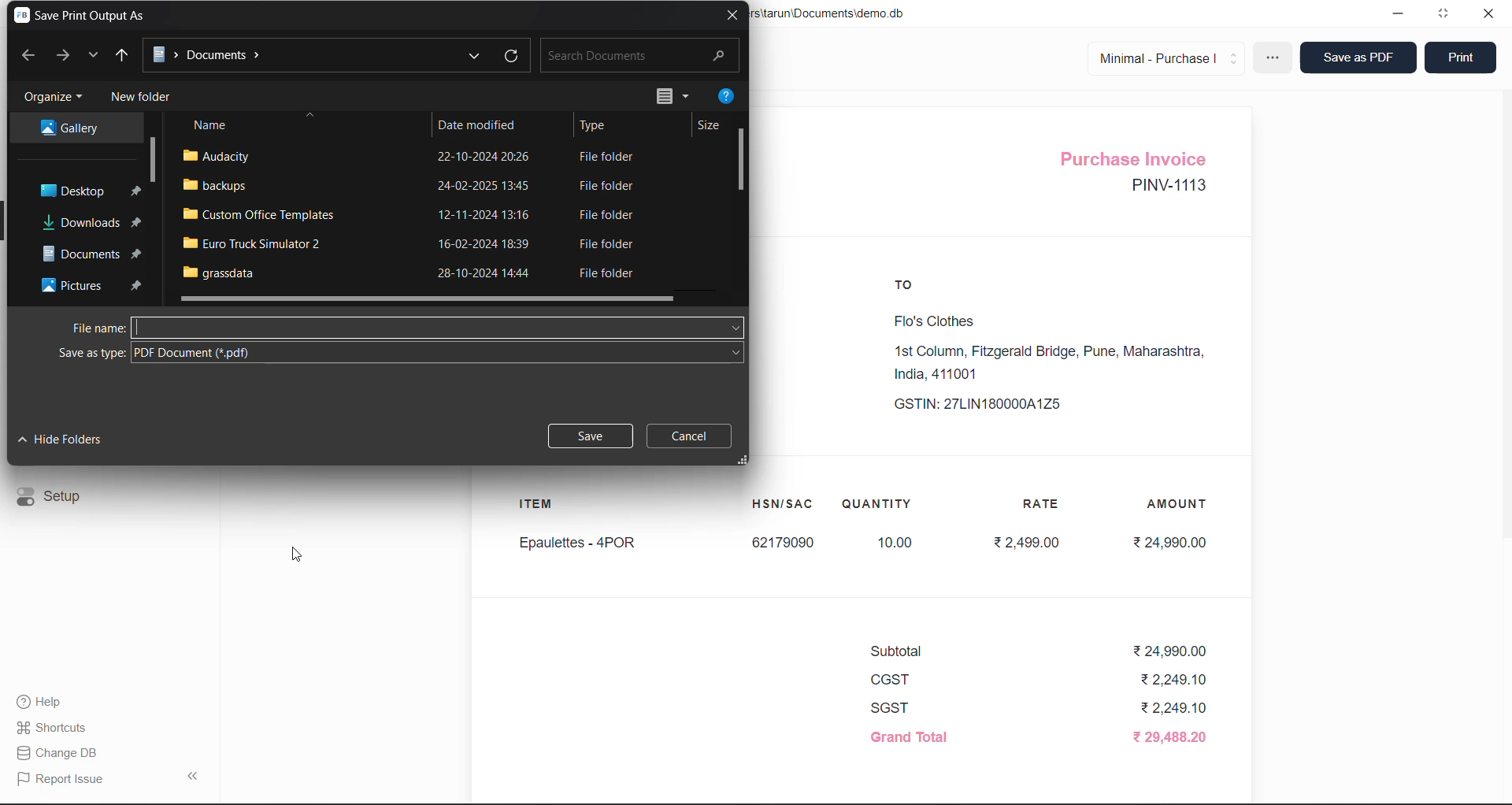 The width and height of the screenshot is (1512, 805). I want to click on minimize, so click(1402, 13).